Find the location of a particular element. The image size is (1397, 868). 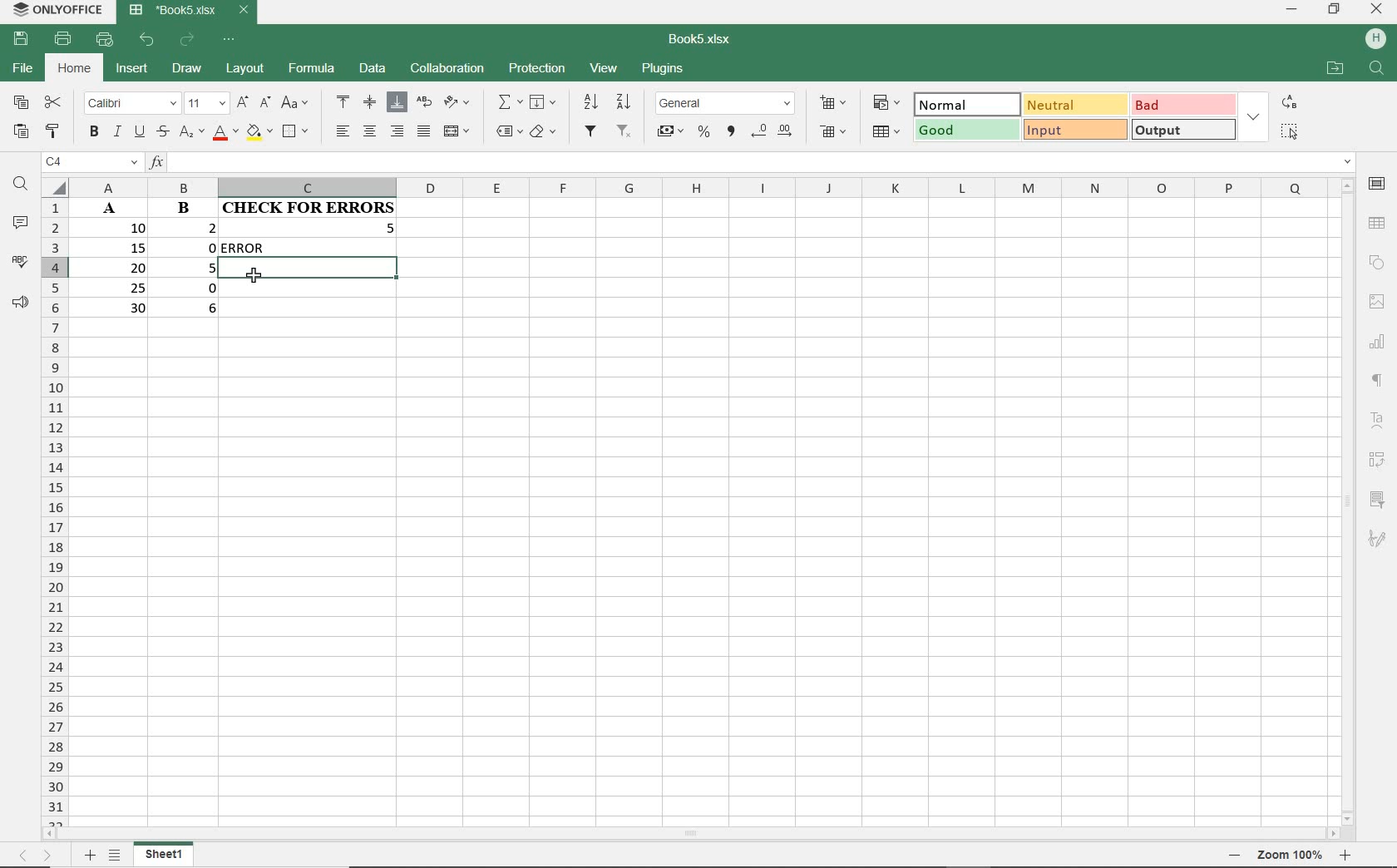

formula returns ERROR is located at coordinates (309, 248).